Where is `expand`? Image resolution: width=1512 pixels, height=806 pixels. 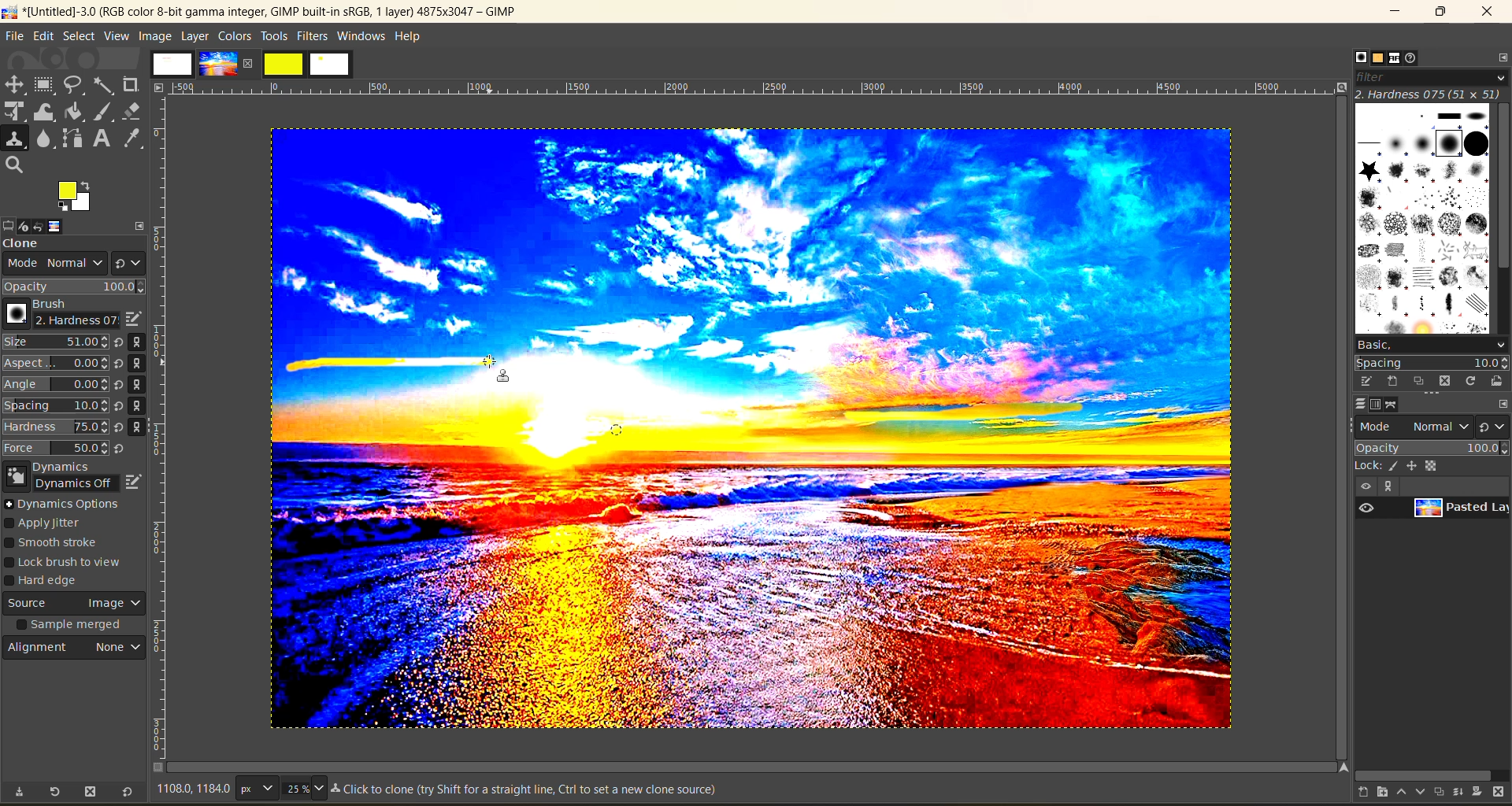
expand is located at coordinates (1386, 486).